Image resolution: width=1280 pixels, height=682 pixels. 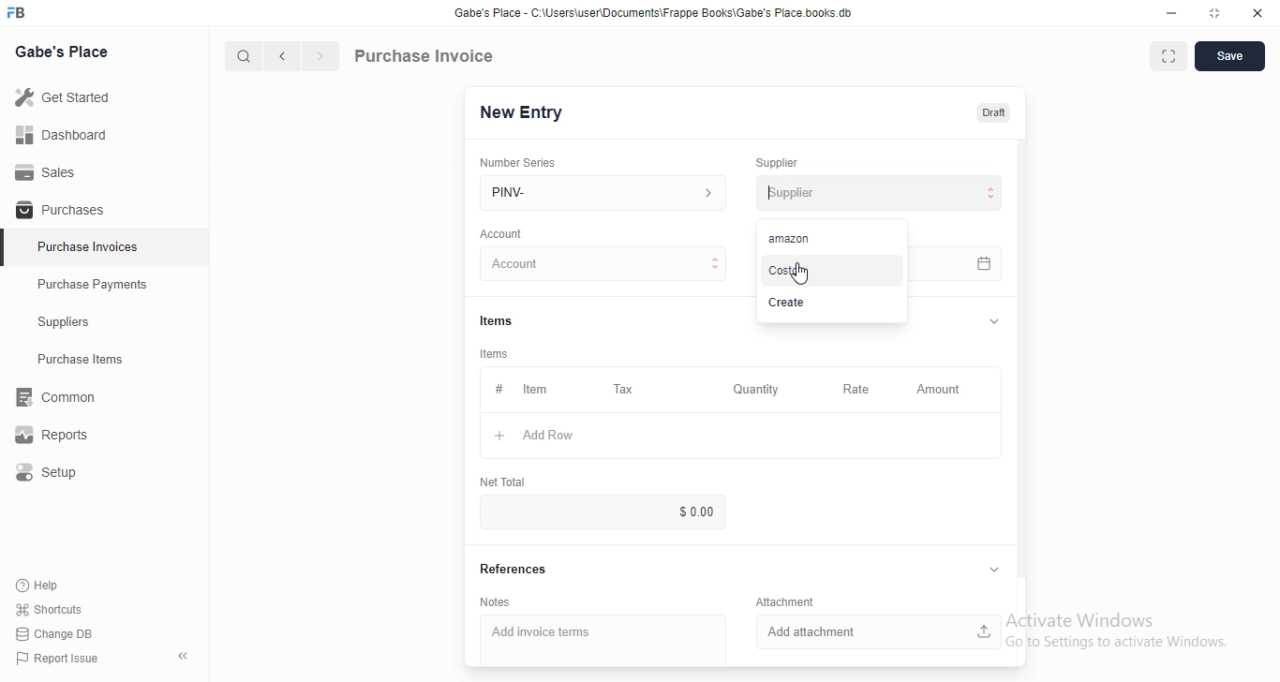 I want to click on Dashboard, so click(x=104, y=134).